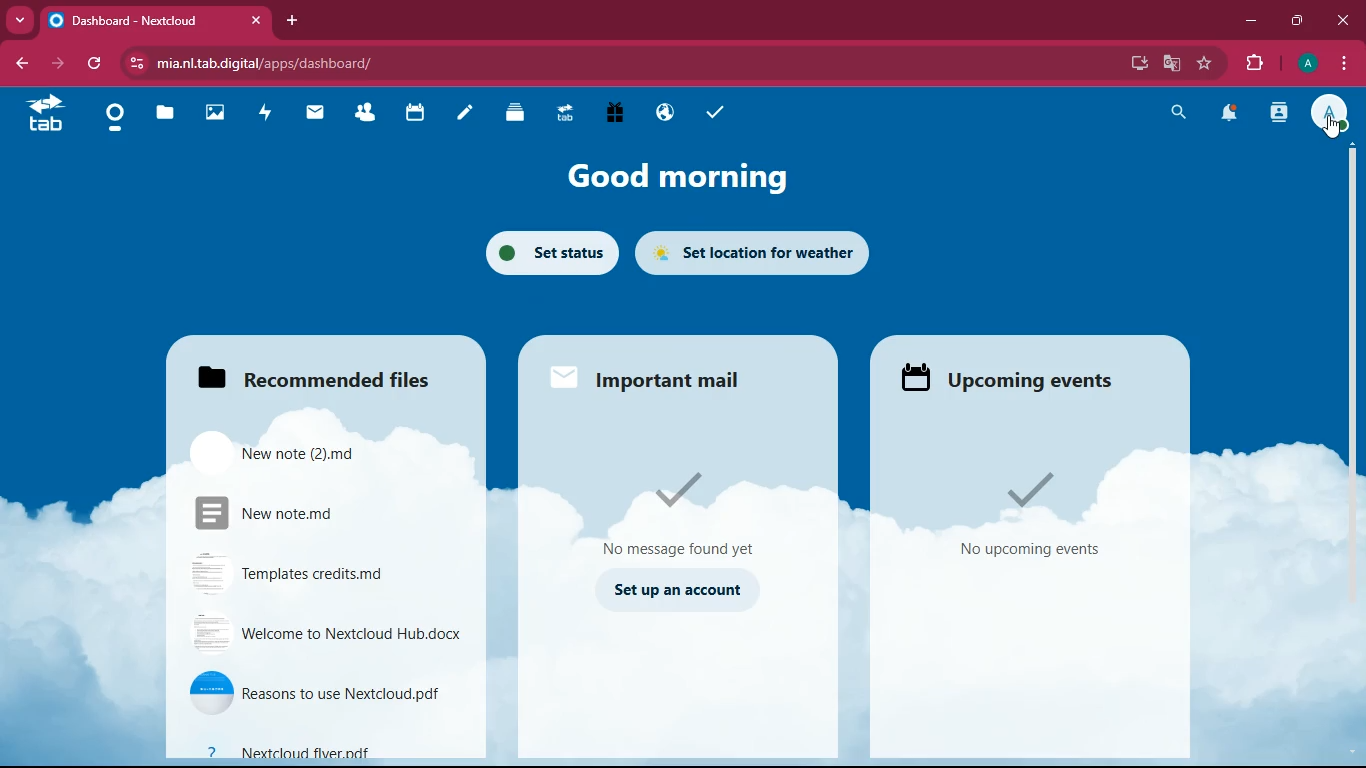 The width and height of the screenshot is (1366, 768). What do you see at coordinates (1353, 316) in the screenshot?
I see `scroll` at bounding box center [1353, 316].